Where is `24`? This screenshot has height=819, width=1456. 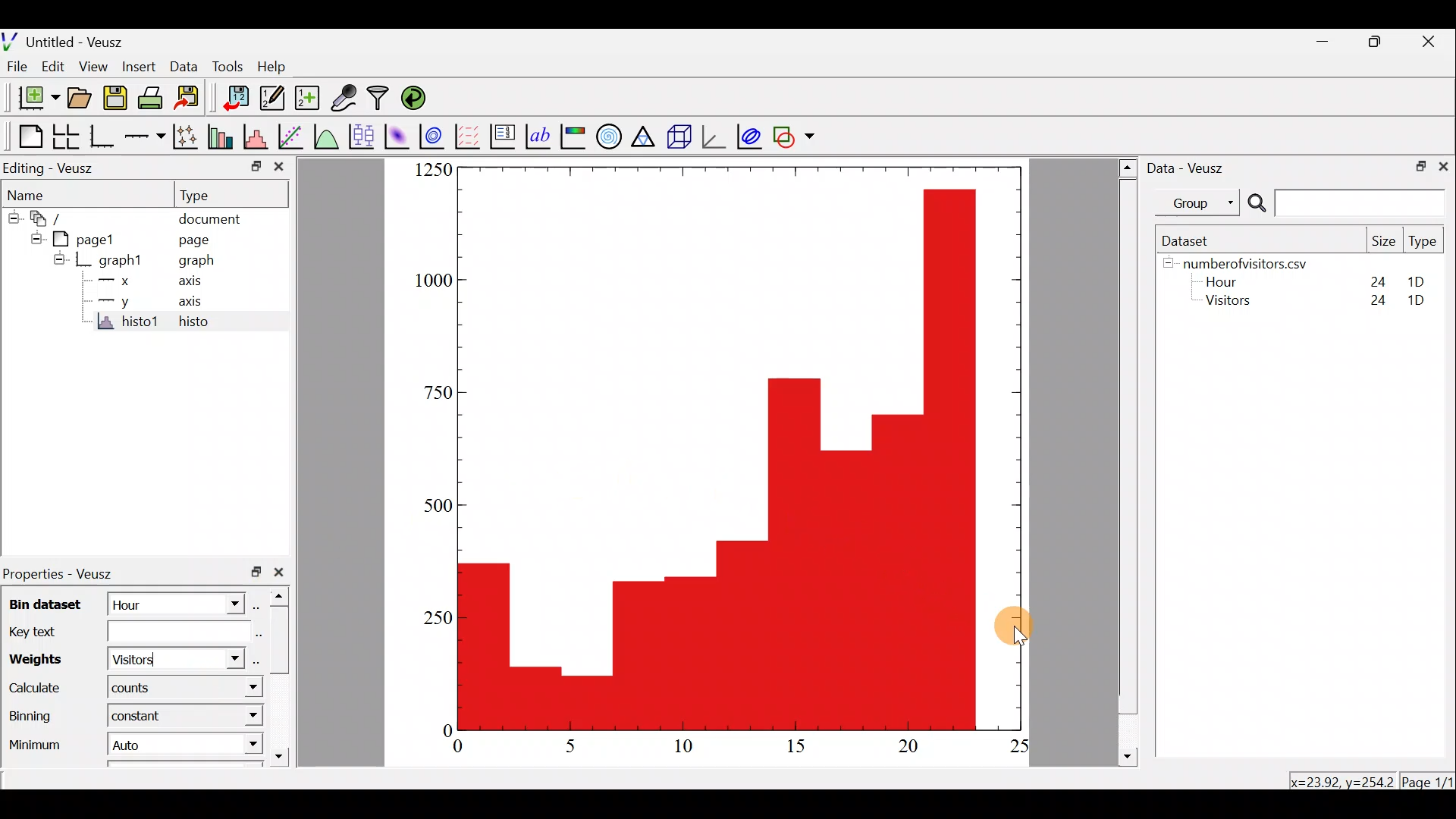 24 is located at coordinates (1374, 301).